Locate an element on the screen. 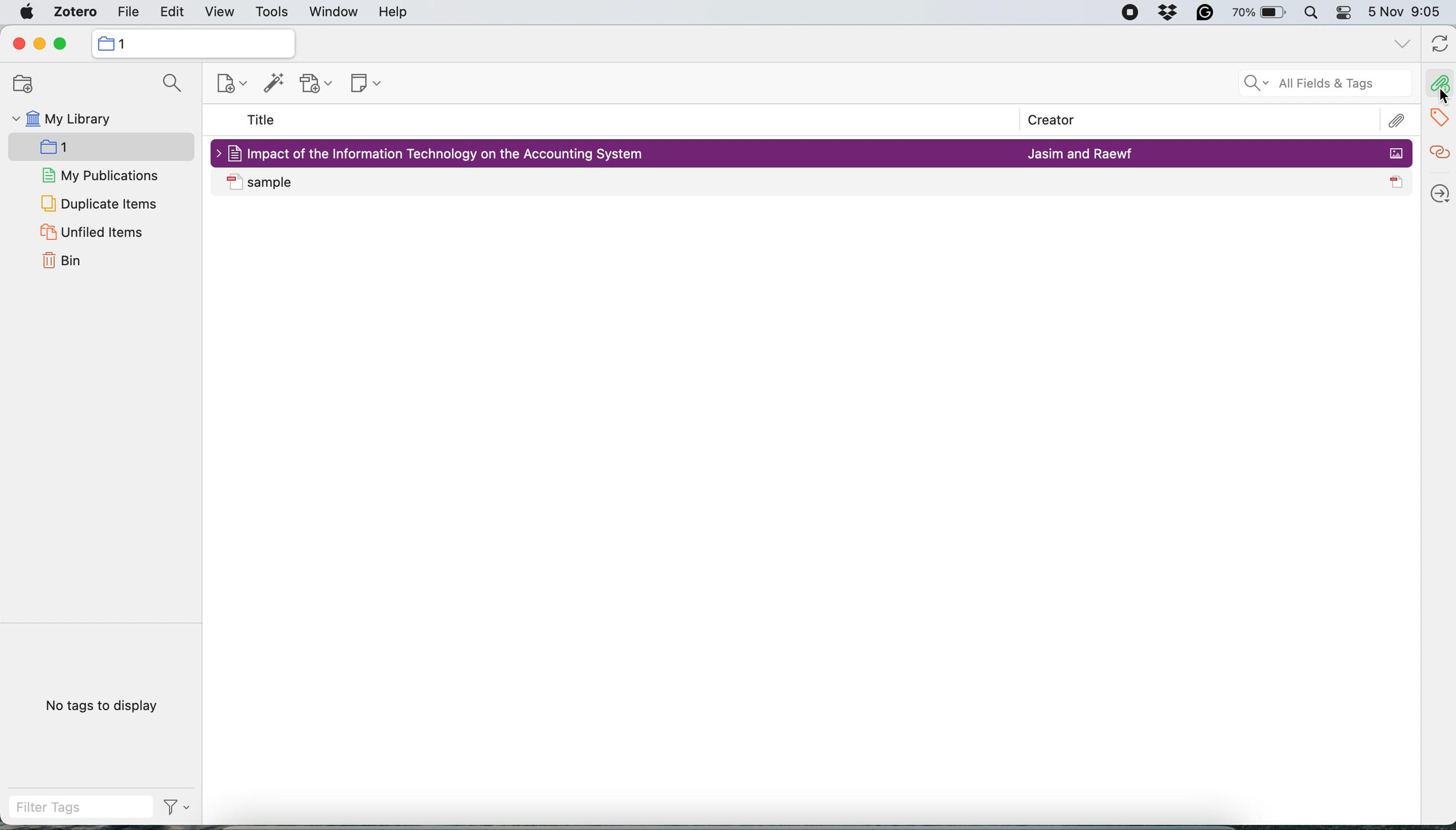  refresh is located at coordinates (1437, 45).